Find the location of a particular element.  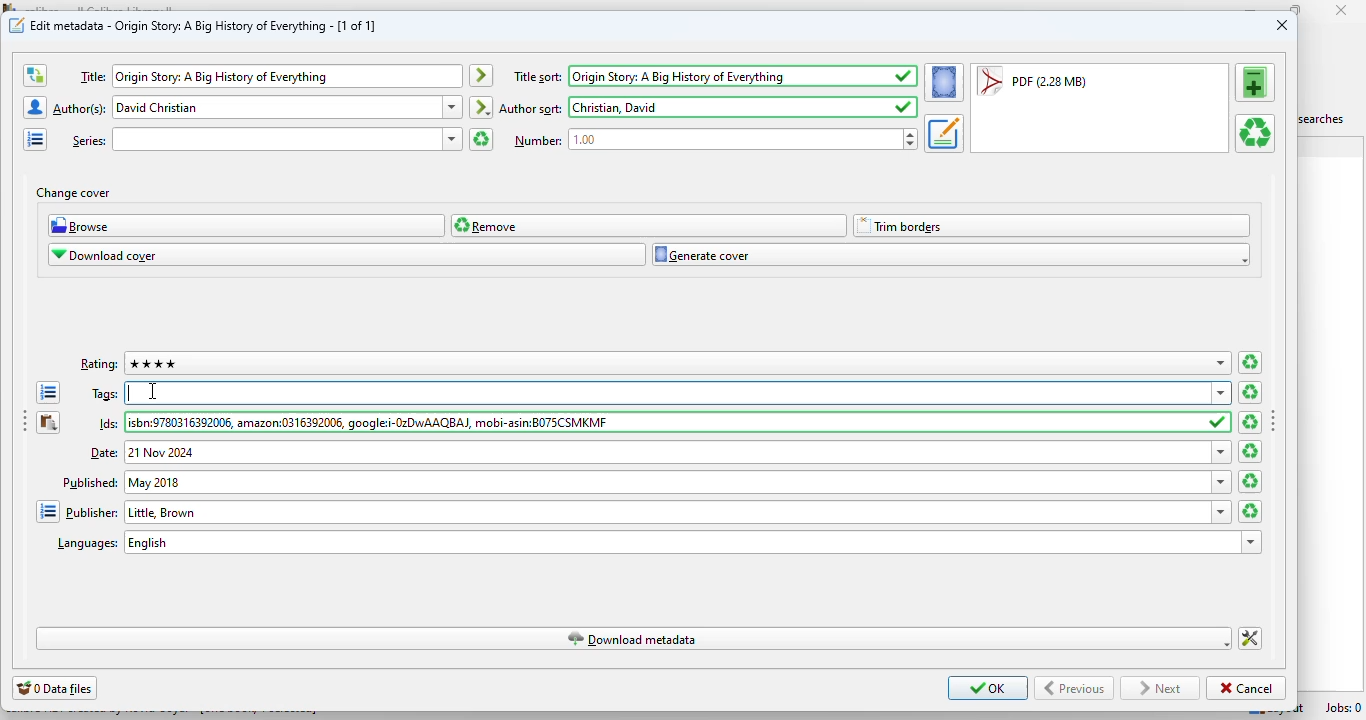

author sort: David Christian is located at coordinates (728, 107).